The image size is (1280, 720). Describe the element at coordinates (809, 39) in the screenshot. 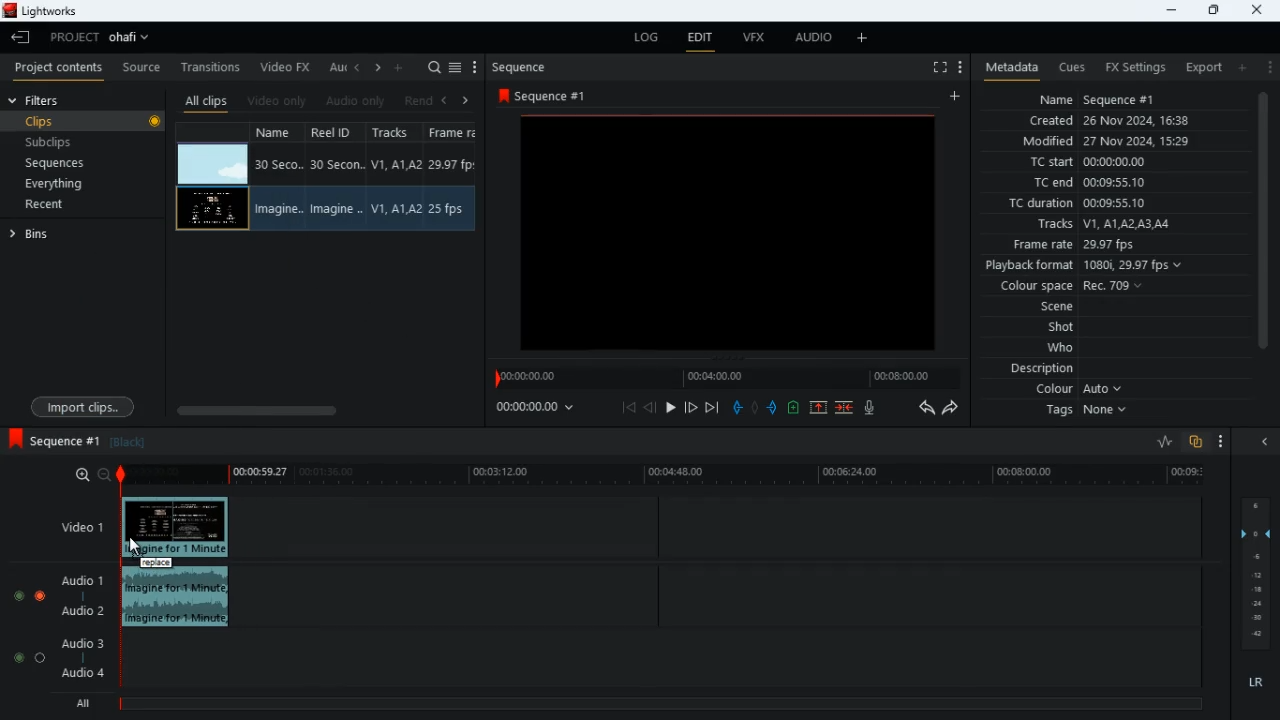

I see `audio` at that location.